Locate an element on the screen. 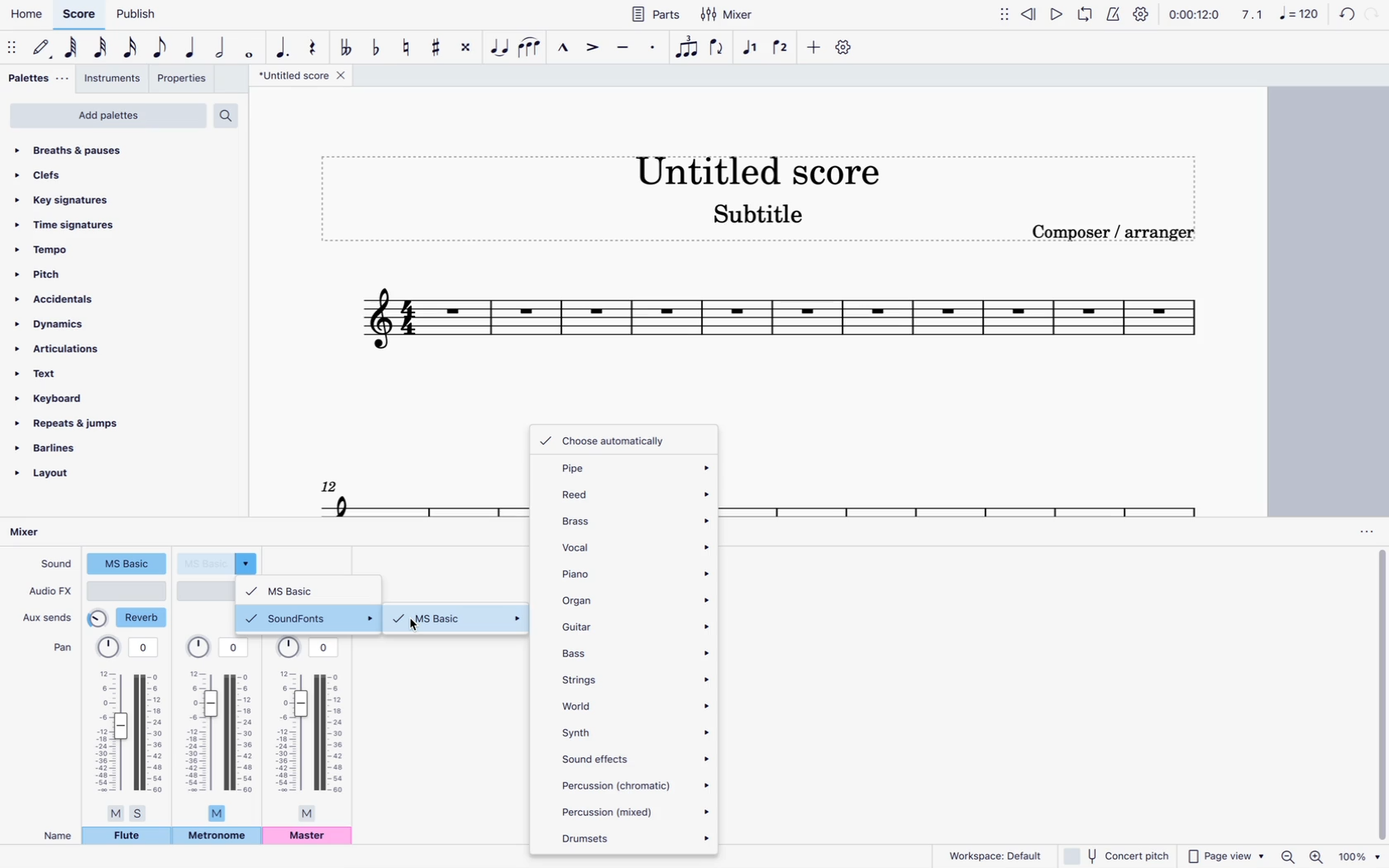  sound effects is located at coordinates (635, 757).